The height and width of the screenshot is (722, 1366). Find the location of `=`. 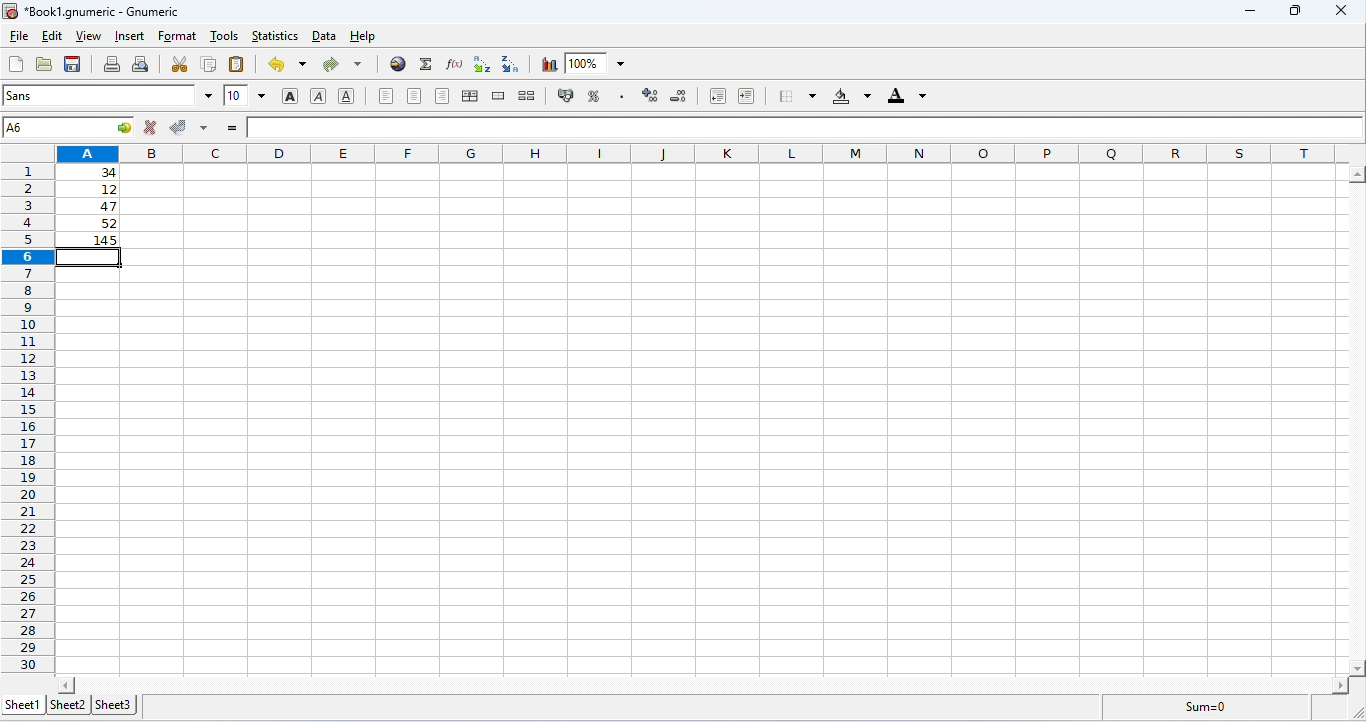

= is located at coordinates (232, 128).